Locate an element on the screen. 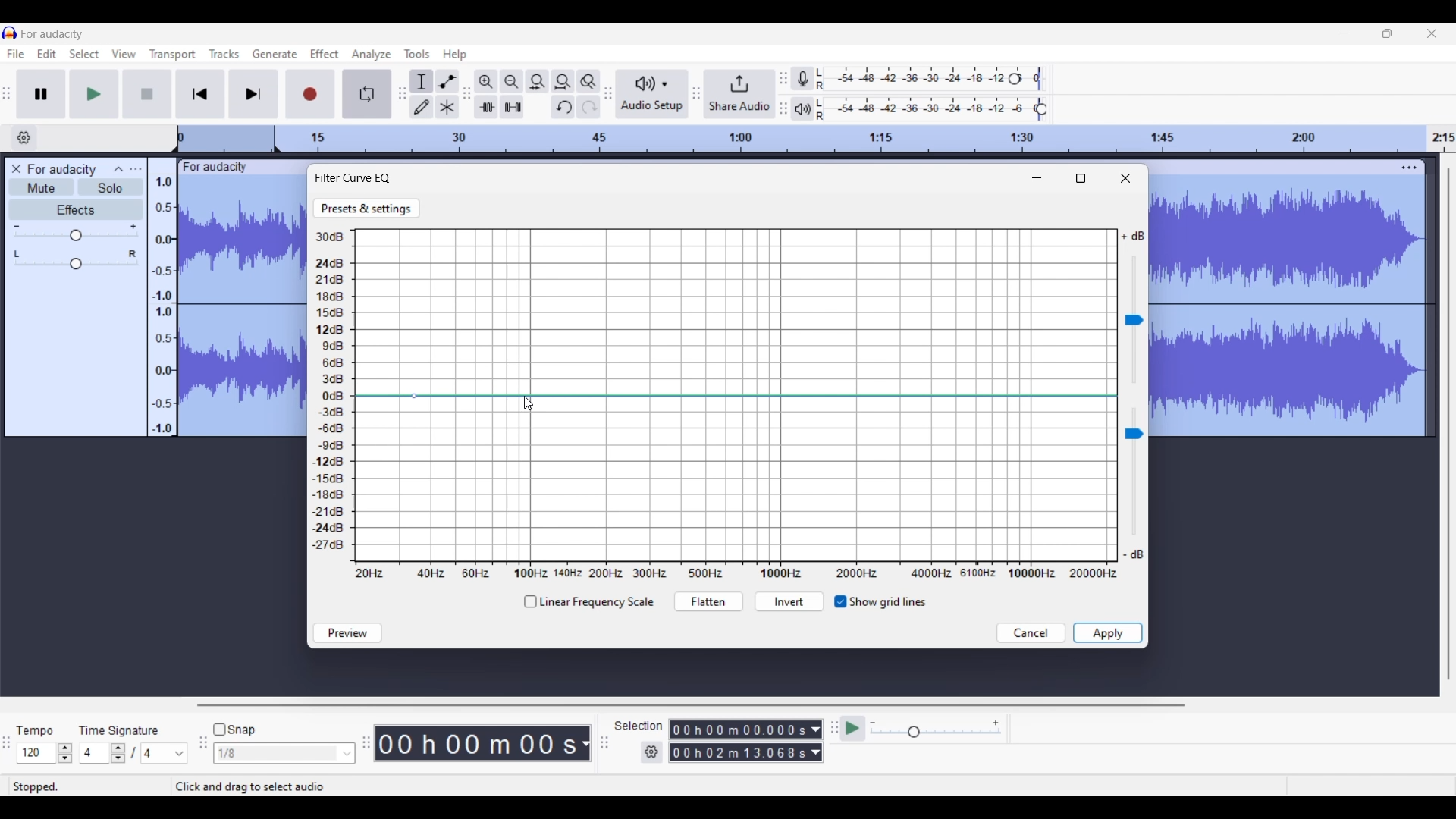 The width and height of the screenshot is (1456, 819). Pan right is located at coordinates (133, 254).